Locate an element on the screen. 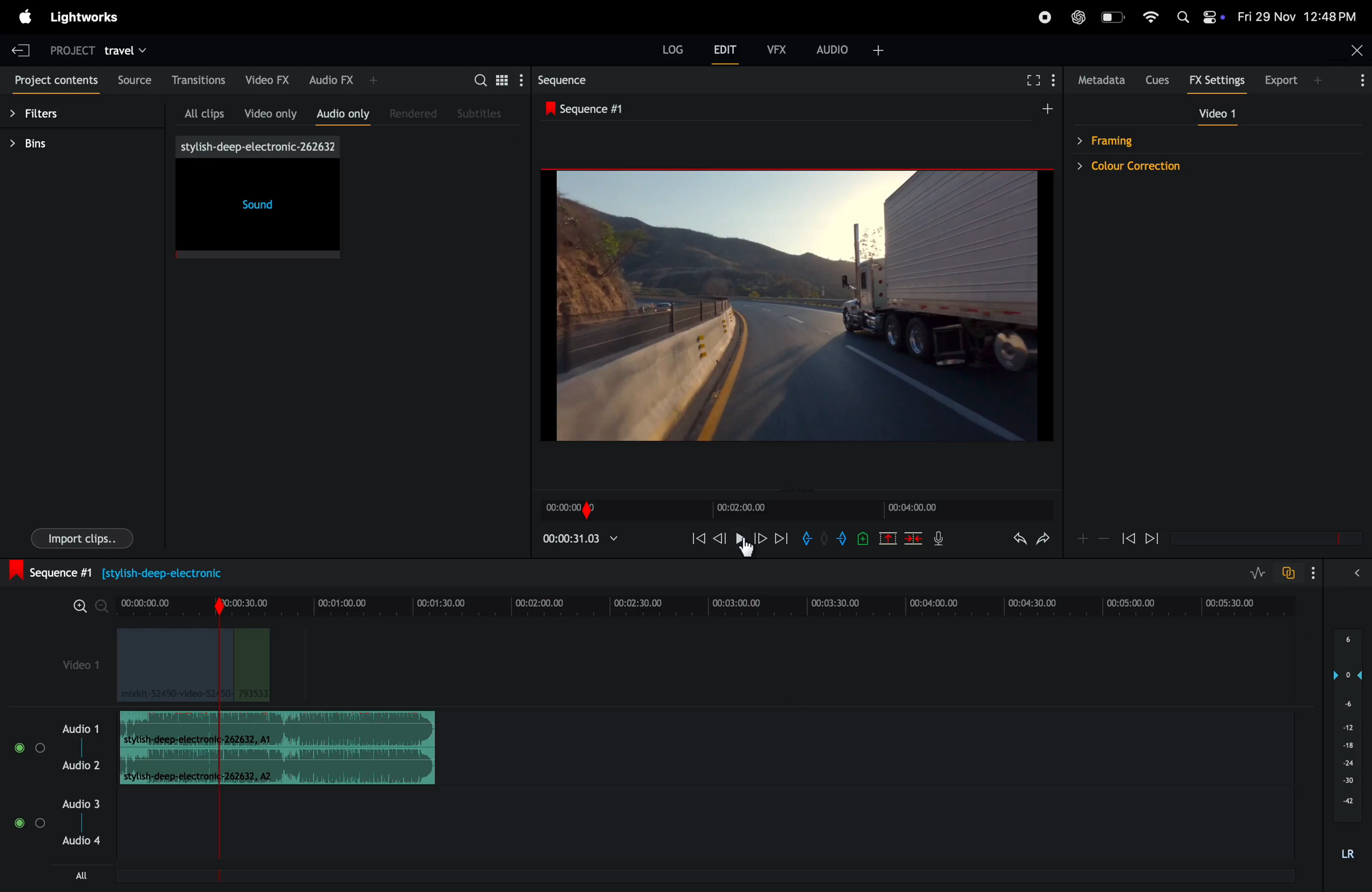 The width and height of the screenshot is (1372, 892). next frame is located at coordinates (1155, 538).